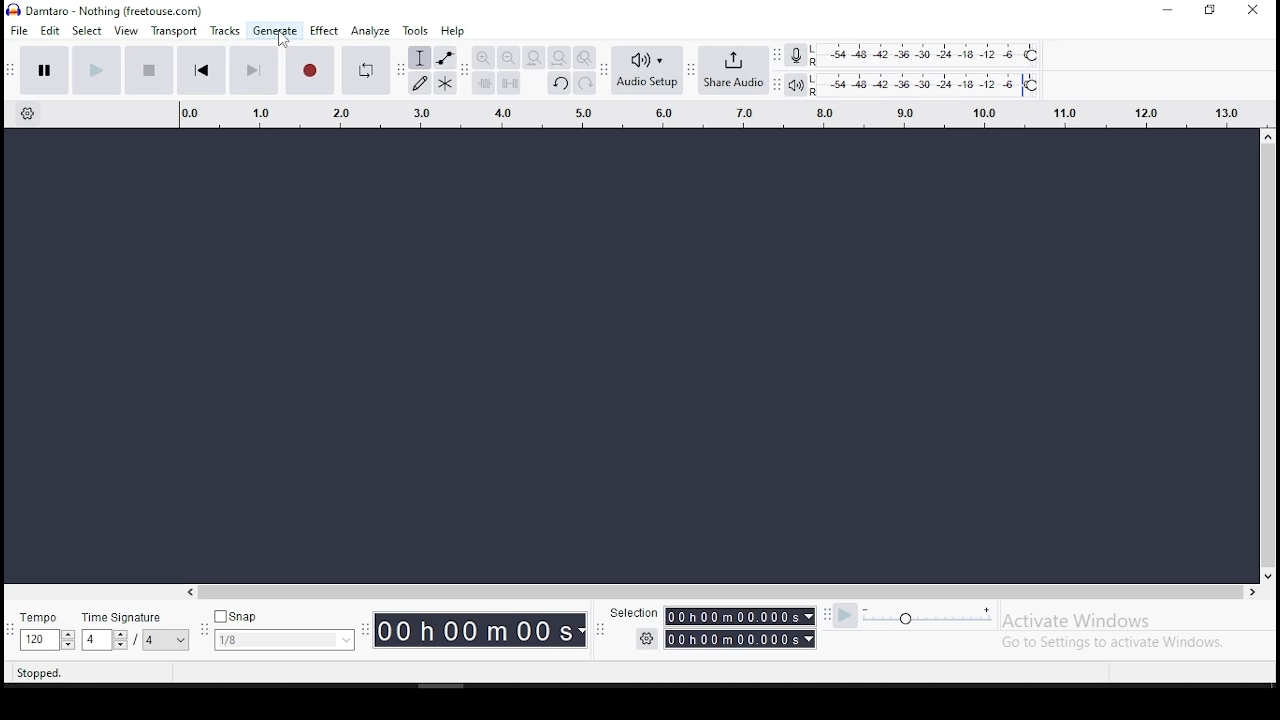 The width and height of the screenshot is (1280, 720). I want to click on view, so click(127, 31).